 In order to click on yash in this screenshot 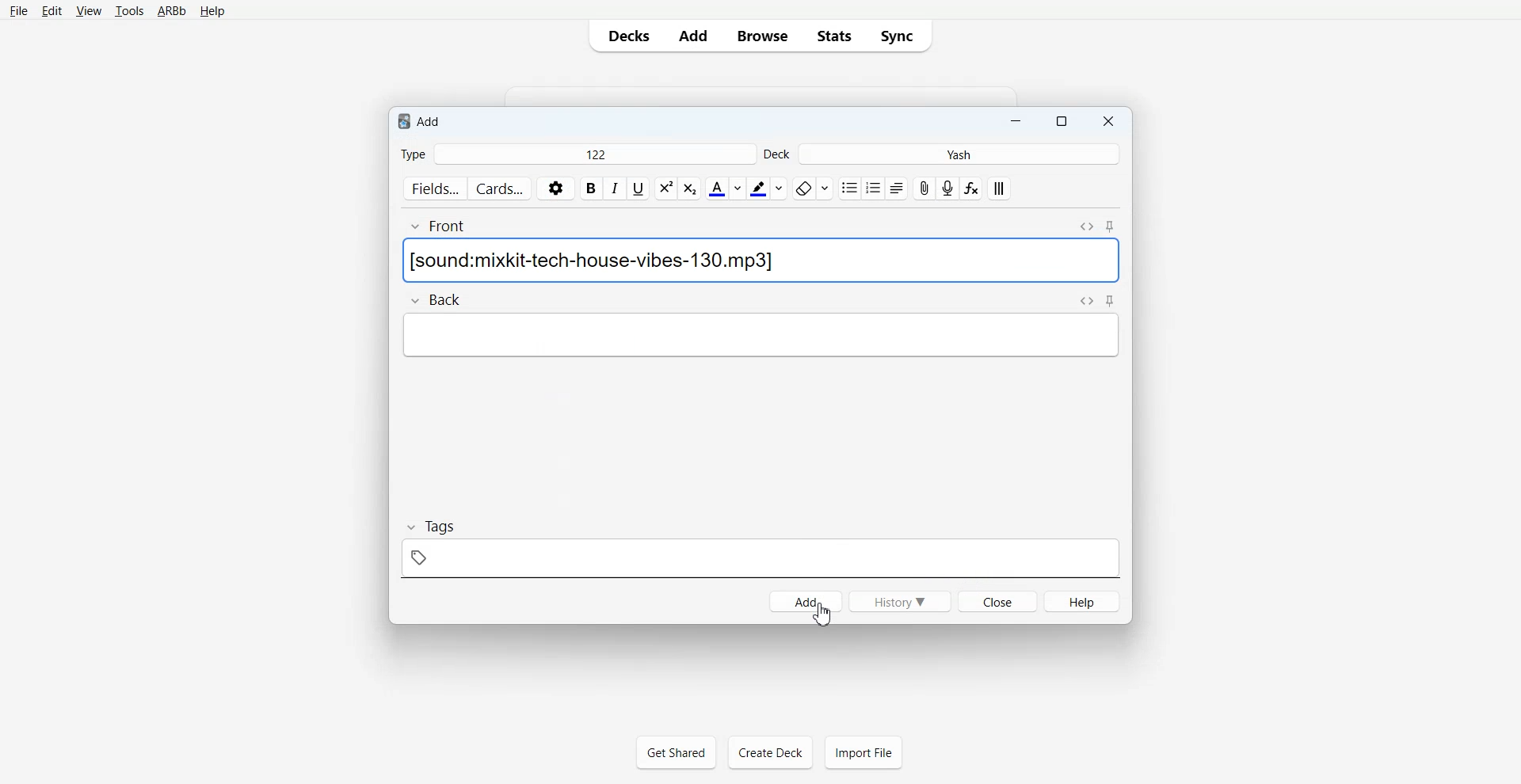, I will do `click(977, 152)`.